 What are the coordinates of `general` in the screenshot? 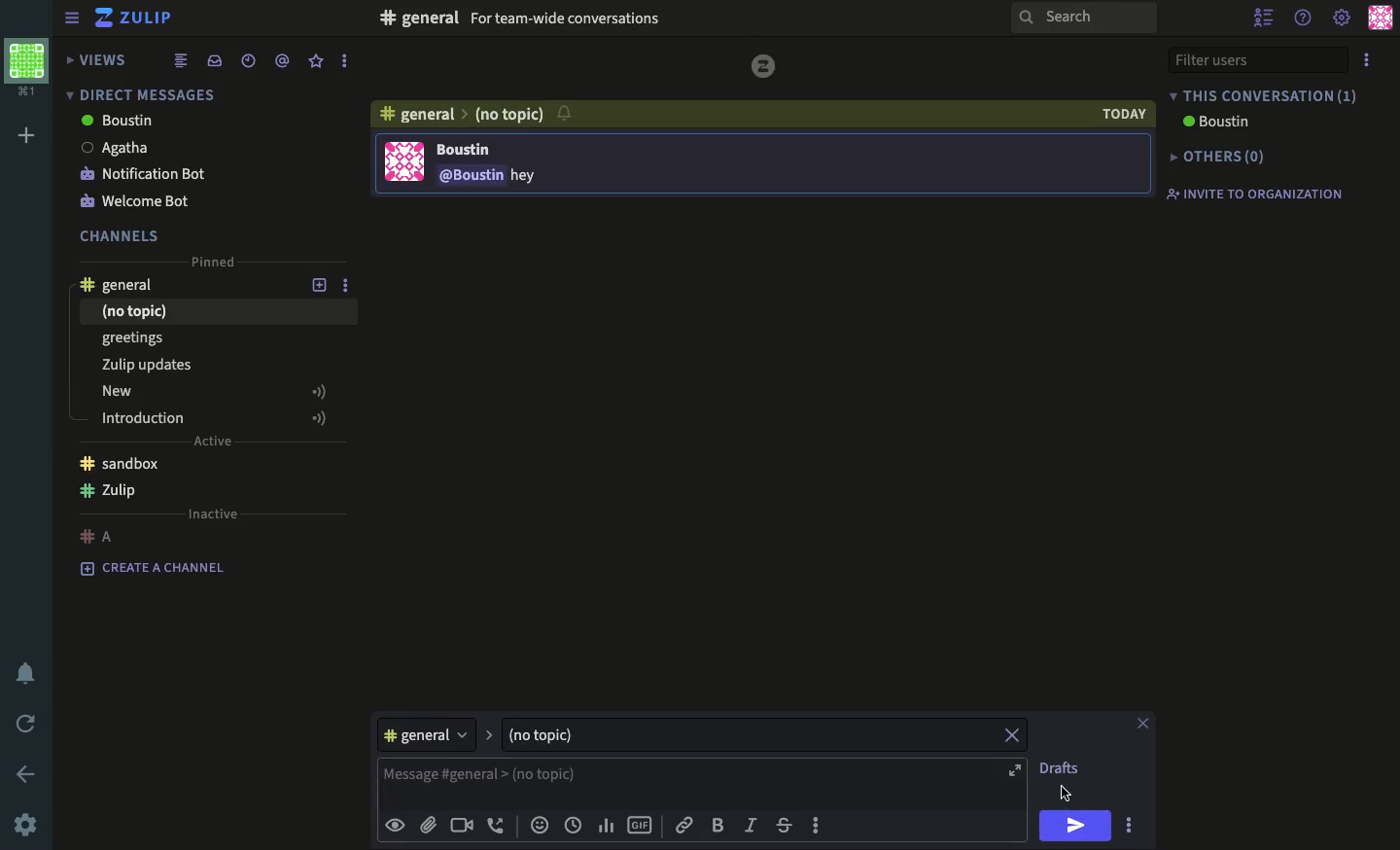 It's located at (415, 114).